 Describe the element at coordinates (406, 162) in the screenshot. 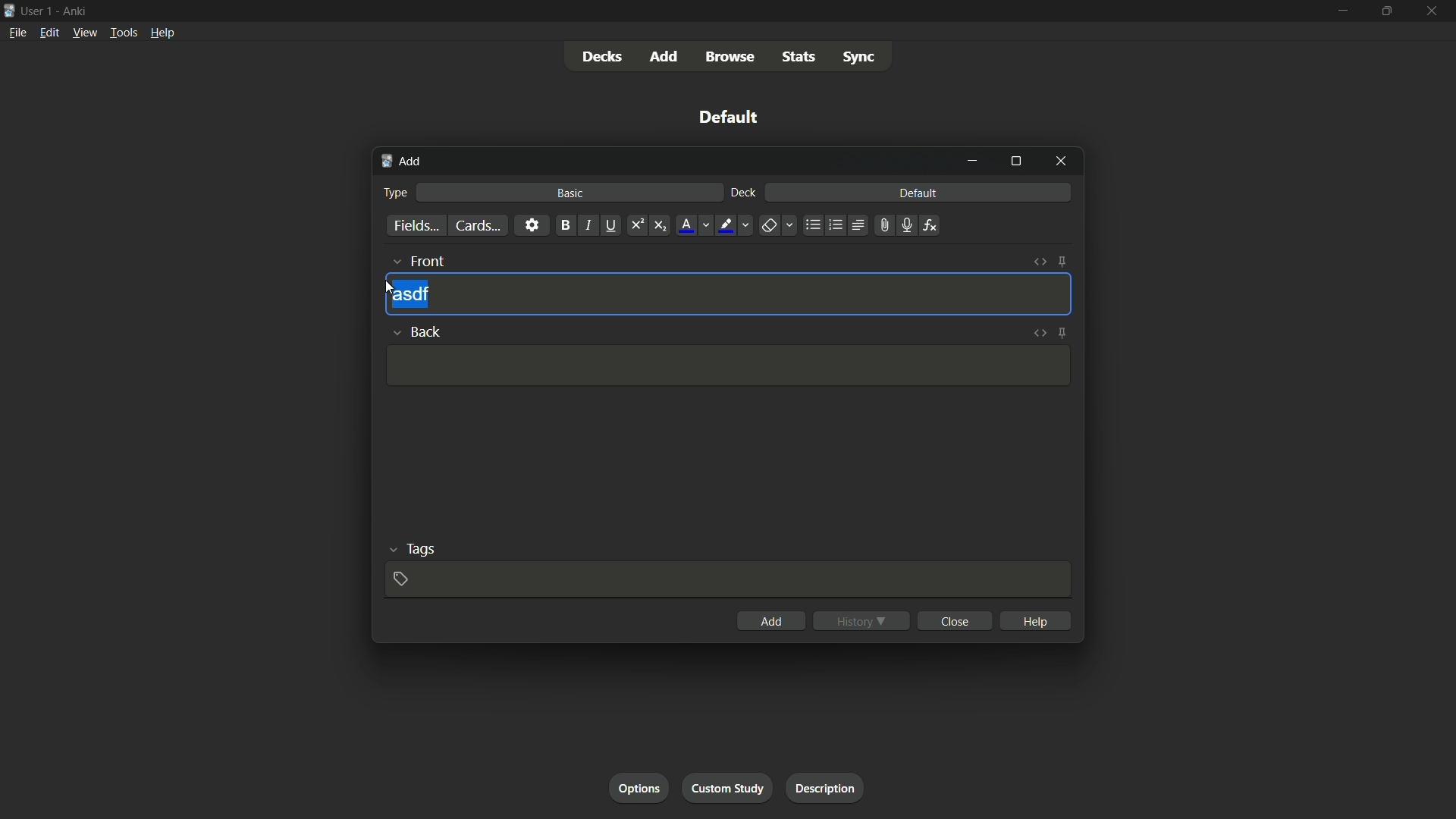

I see `add` at that location.